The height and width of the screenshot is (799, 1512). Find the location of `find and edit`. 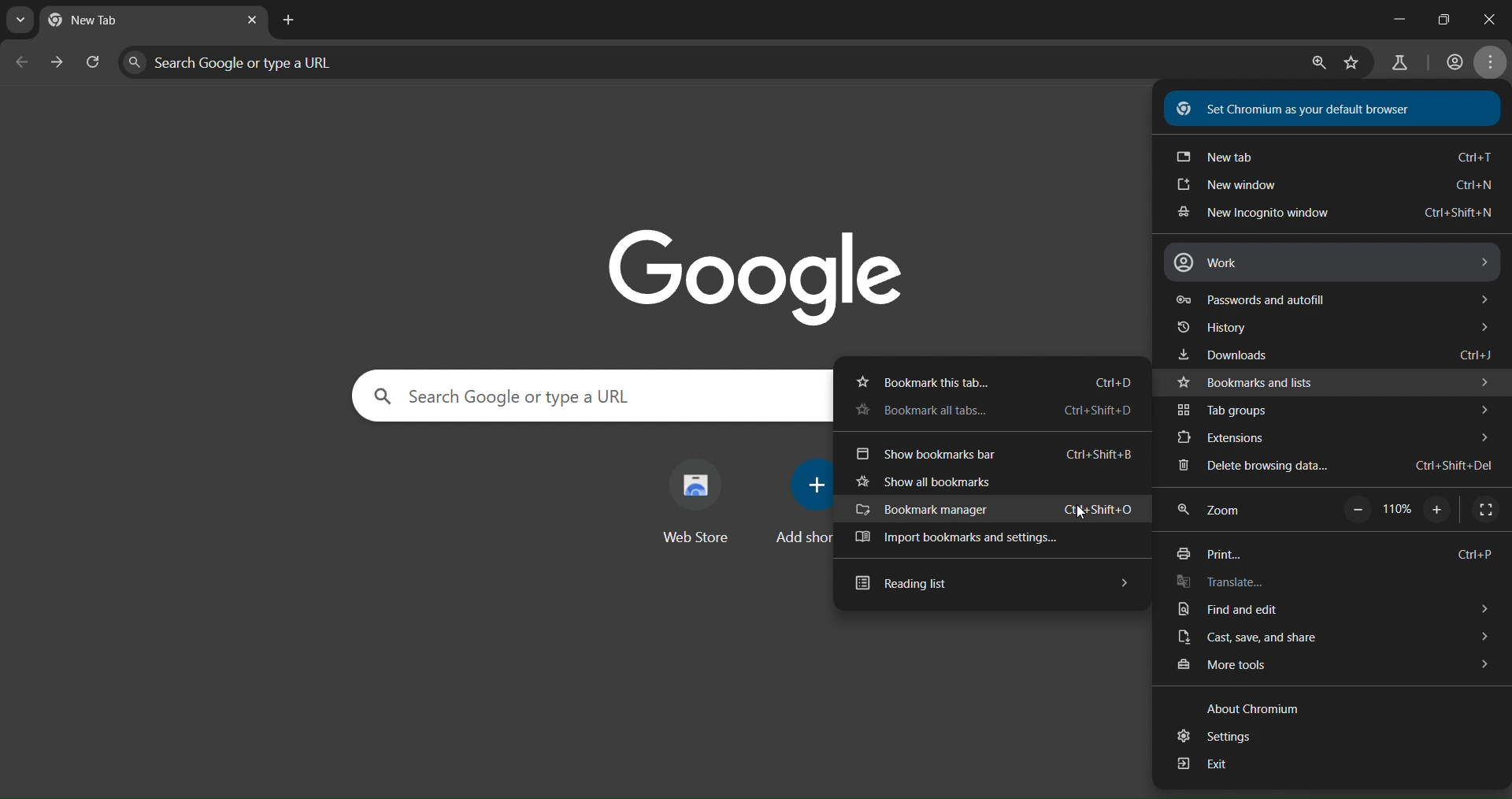

find and edit is located at coordinates (1330, 608).